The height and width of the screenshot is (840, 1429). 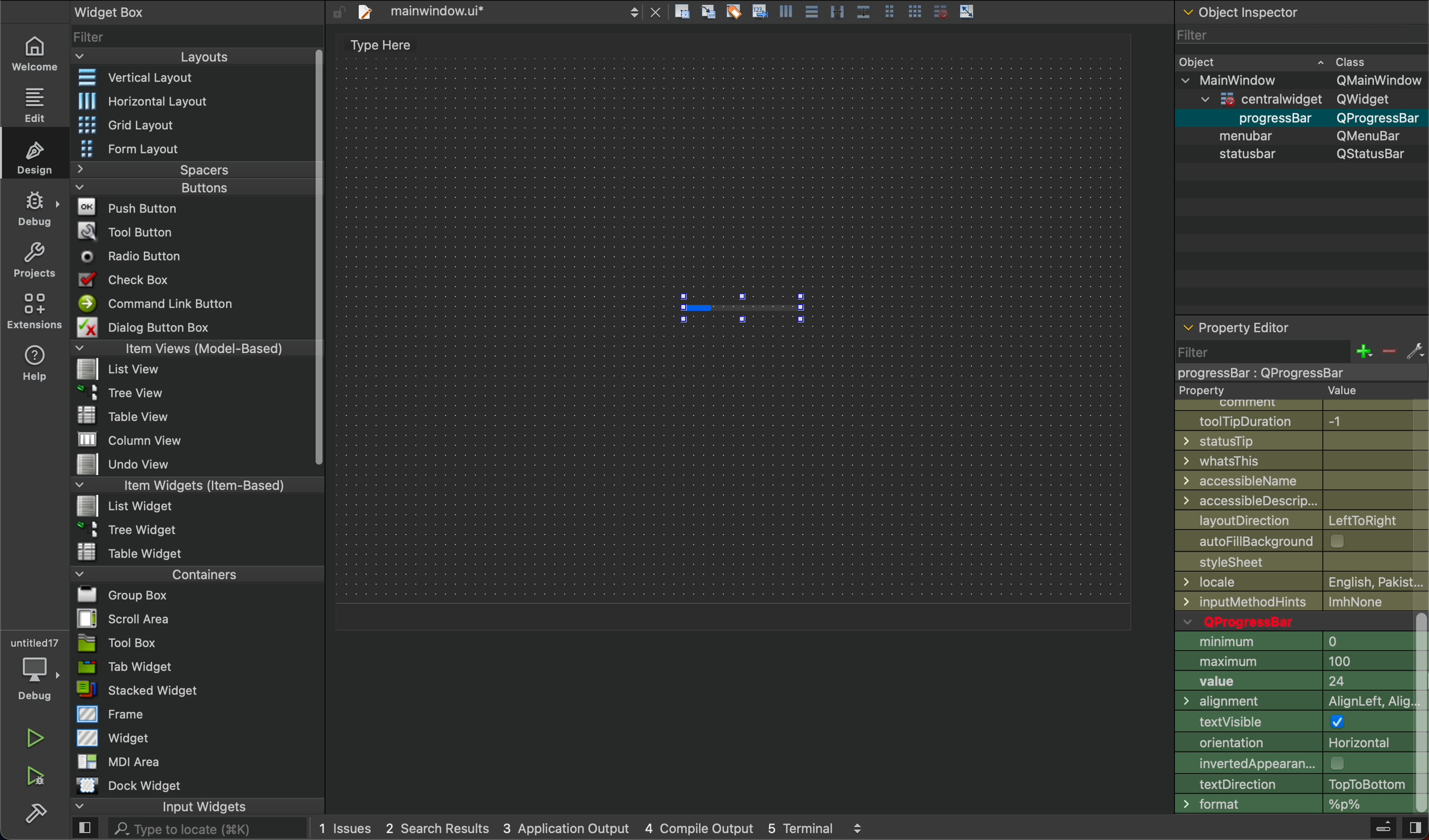 I want to click on text, so click(x=375, y=47).